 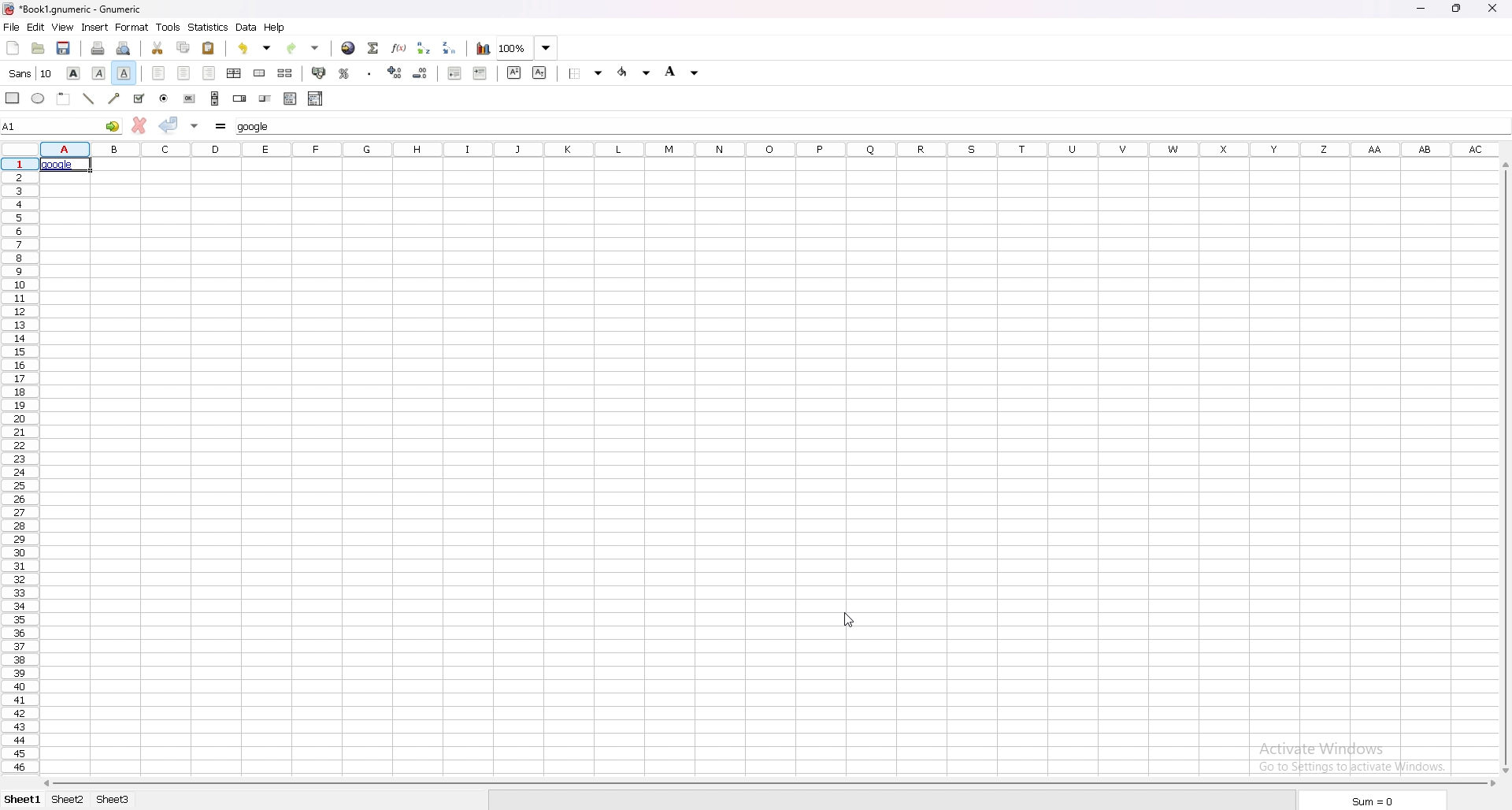 What do you see at coordinates (239, 98) in the screenshot?
I see `spin button` at bounding box center [239, 98].